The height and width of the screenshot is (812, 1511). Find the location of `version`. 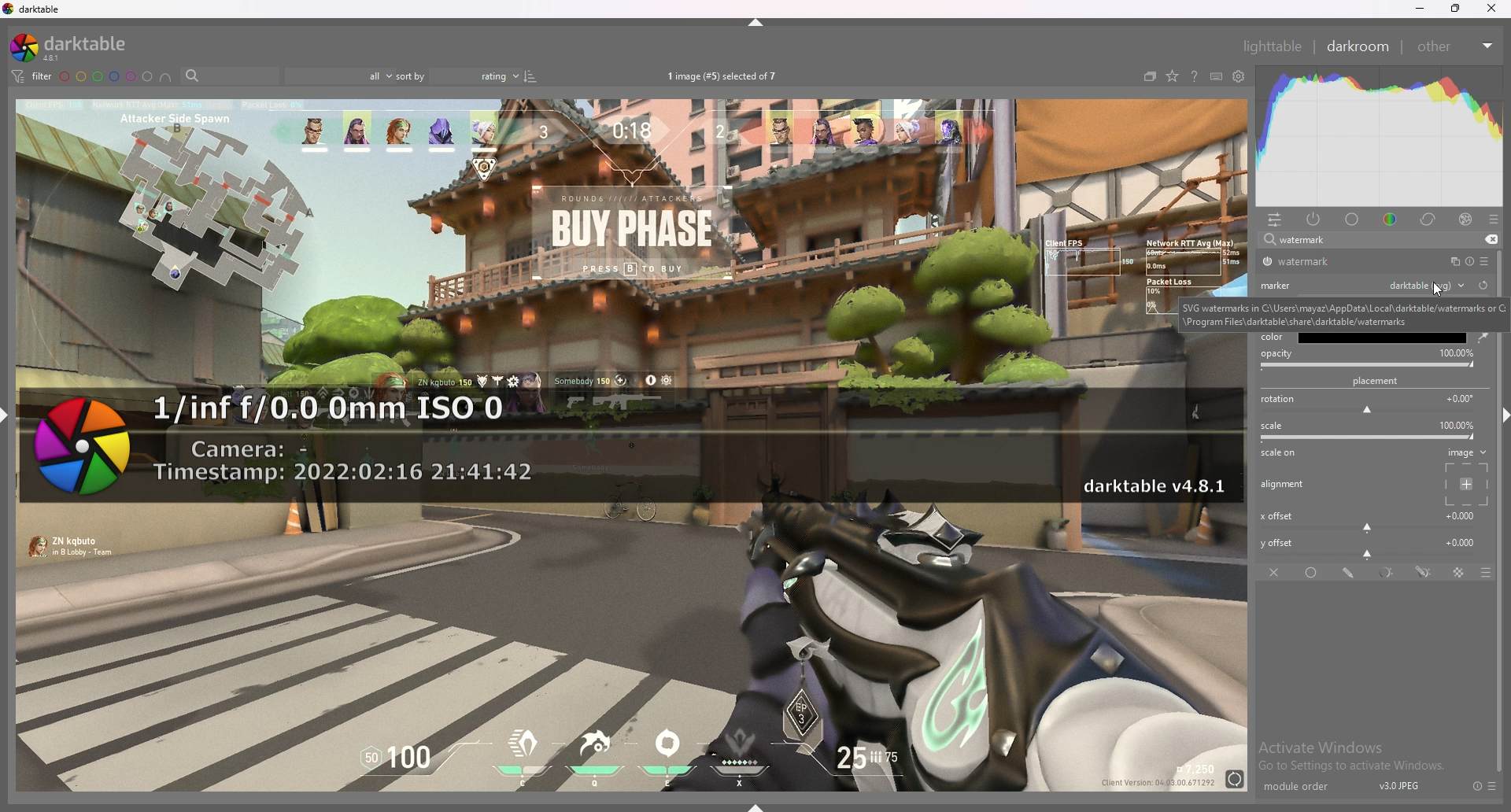

version is located at coordinates (1400, 785).